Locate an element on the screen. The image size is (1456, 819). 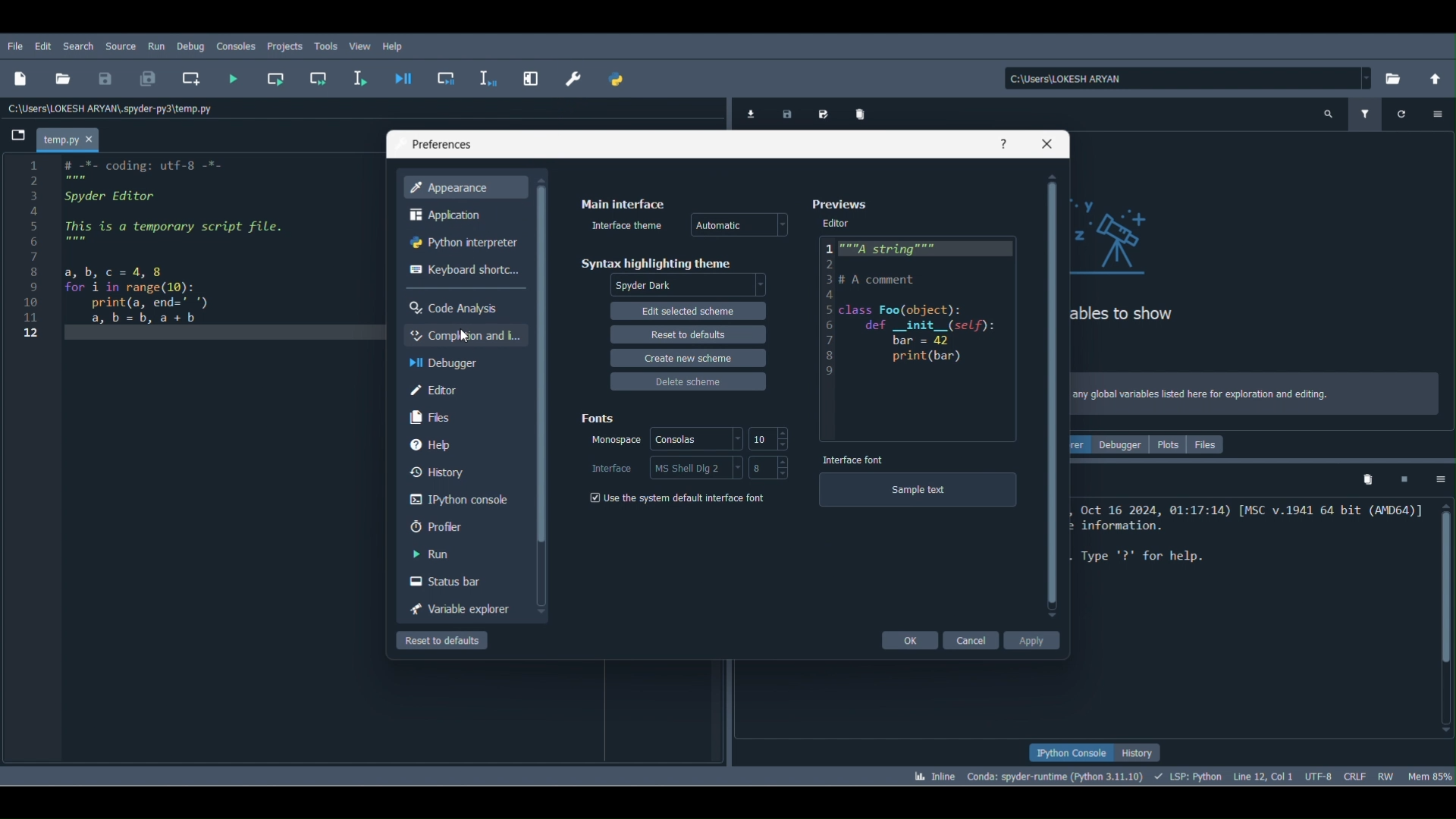
File EOL Status is located at coordinates (1357, 774).